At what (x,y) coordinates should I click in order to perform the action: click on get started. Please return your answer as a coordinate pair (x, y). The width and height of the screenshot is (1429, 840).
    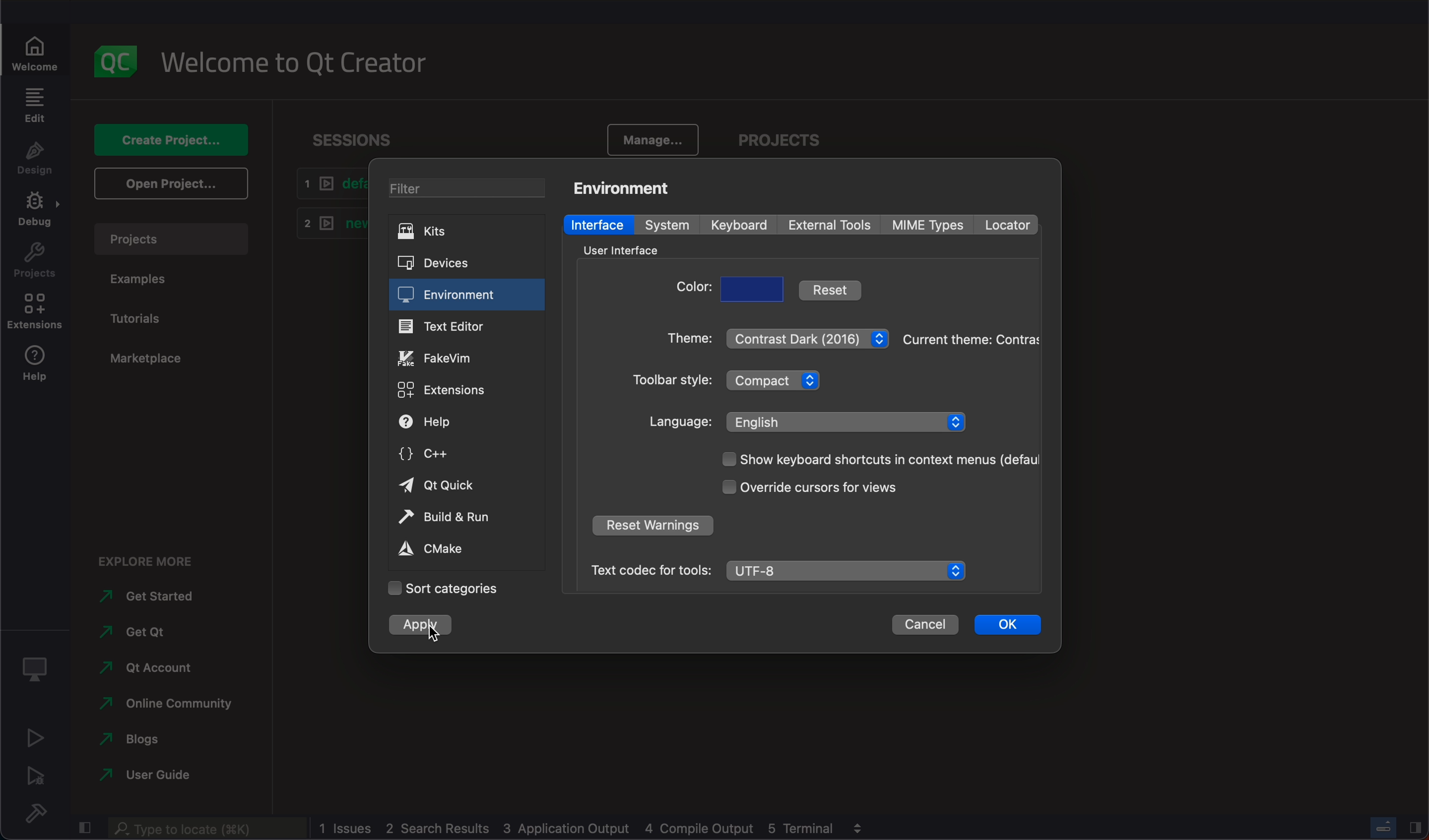
    Looking at the image, I should click on (145, 597).